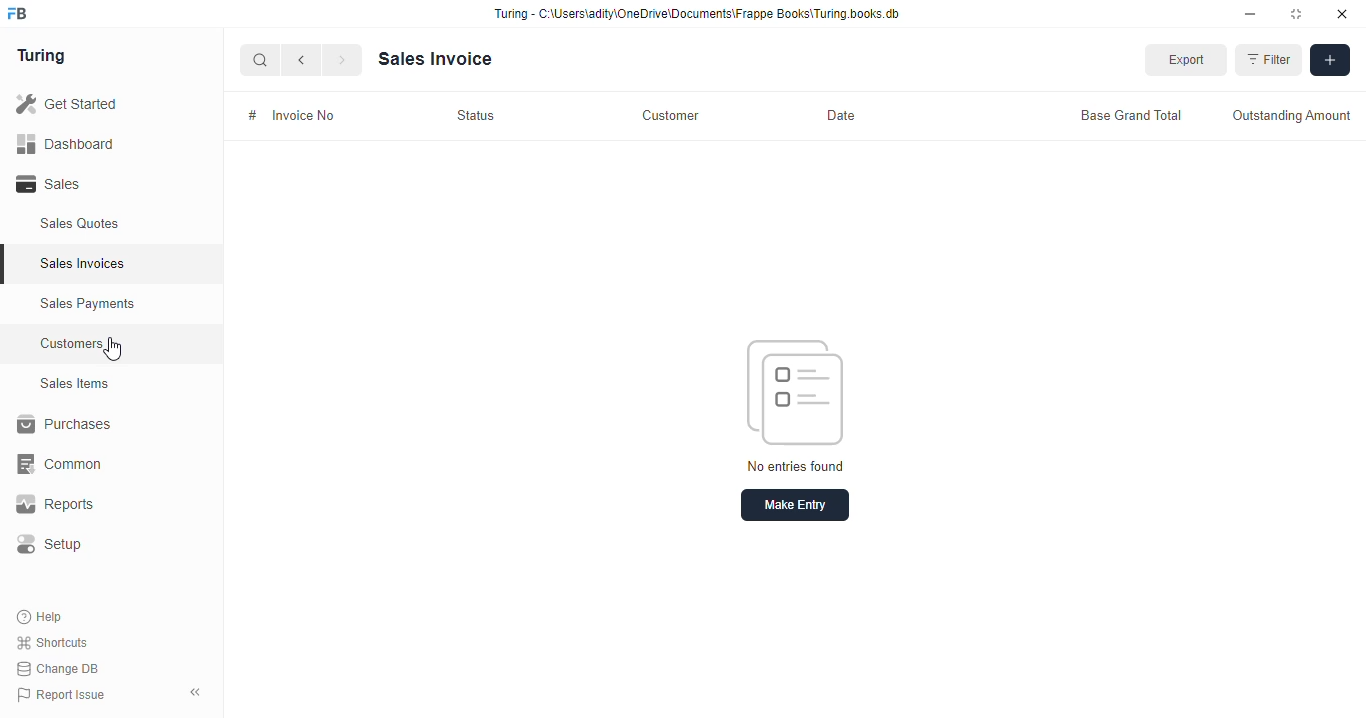 Image resolution: width=1366 pixels, height=718 pixels. Describe the element at coordinates (1271, 61) in the screenshot. I see `Filter` at that location.